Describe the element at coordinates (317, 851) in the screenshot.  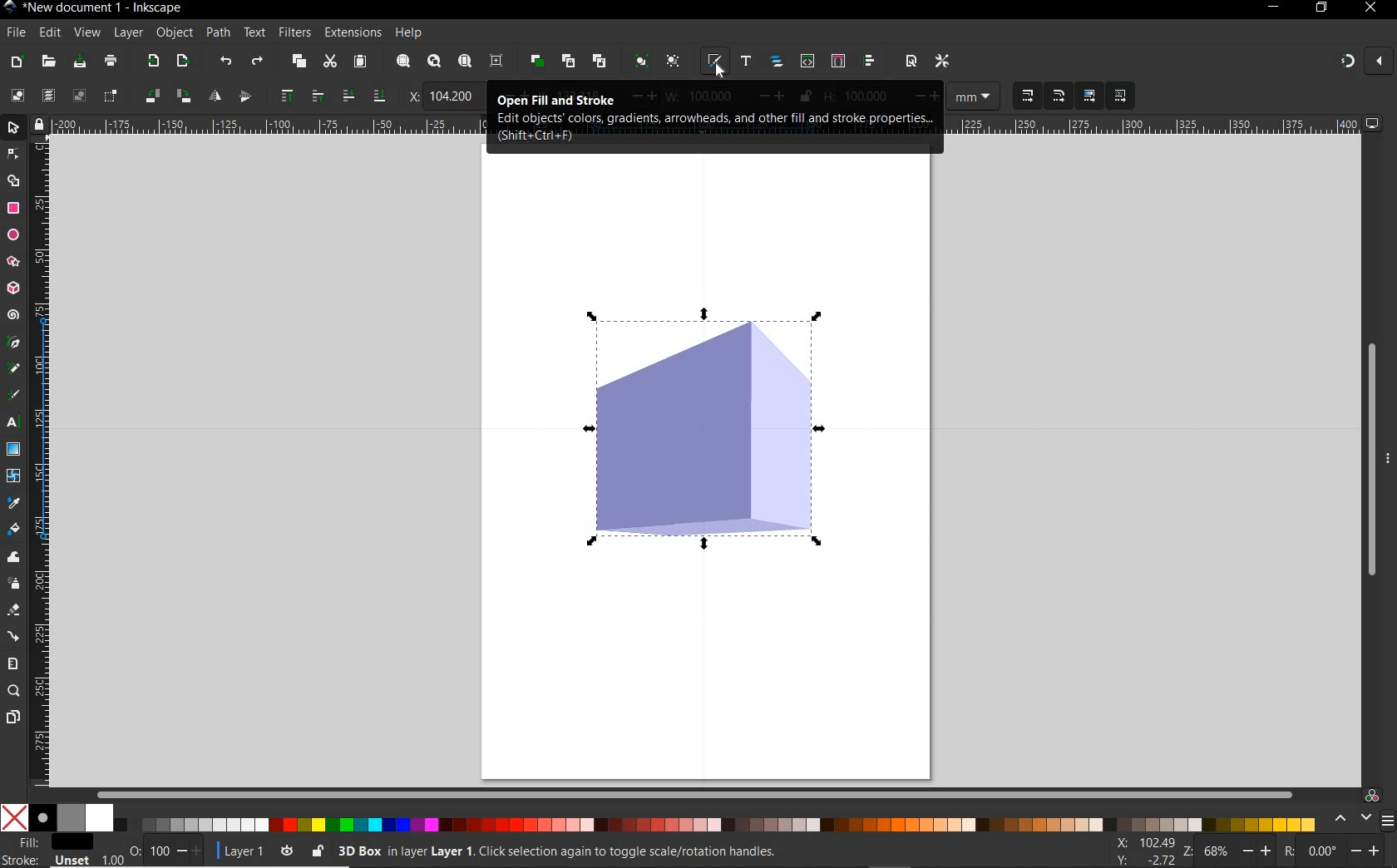
I see `LOCK/UNLOCK` at that location.